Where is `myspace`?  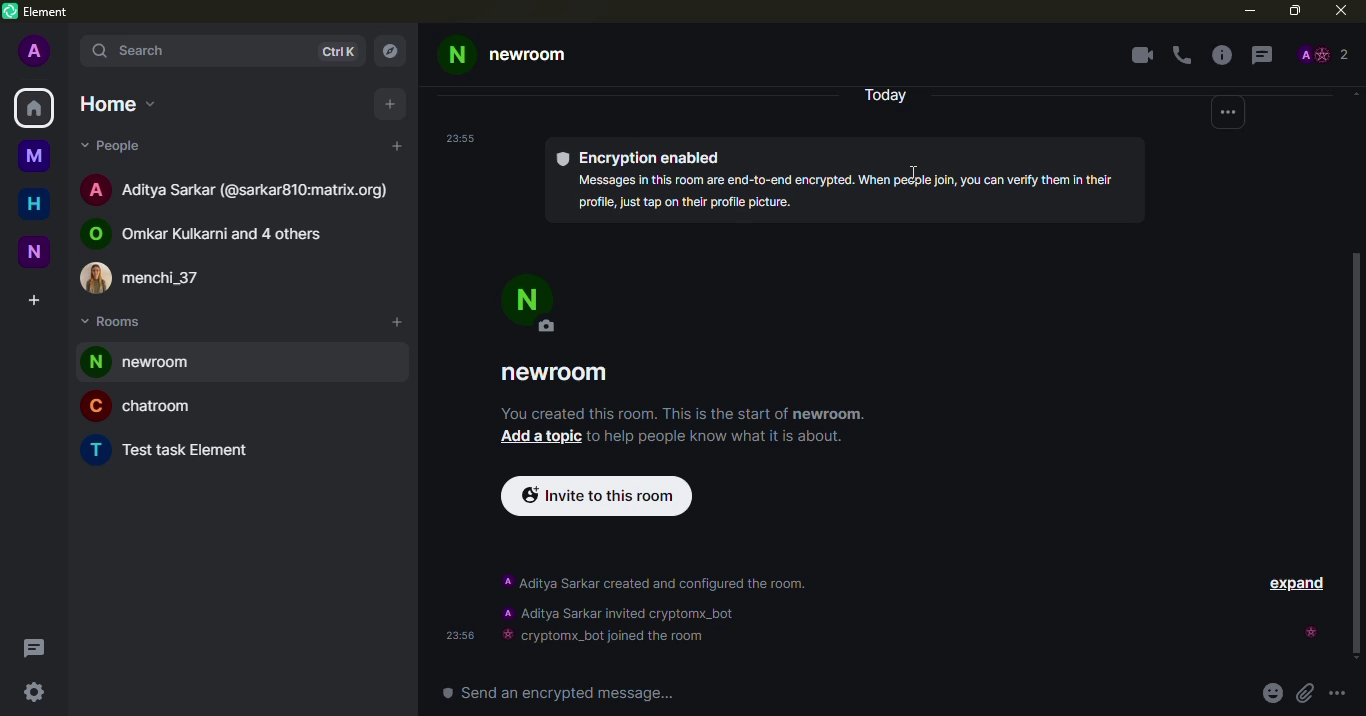 myspace is located at coordinates (36, 158).